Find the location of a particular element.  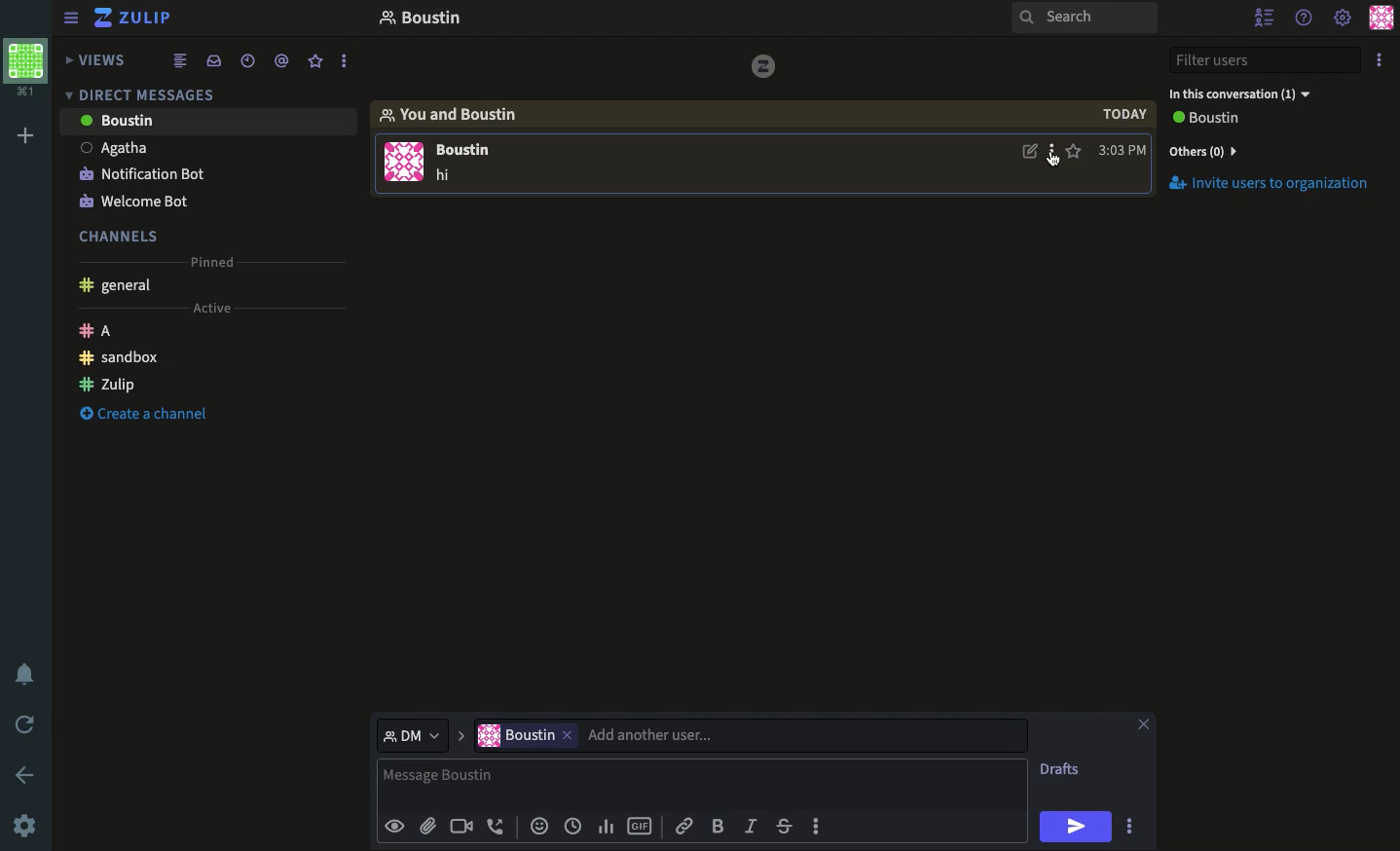

Gif is located at coordinates (641, 827).